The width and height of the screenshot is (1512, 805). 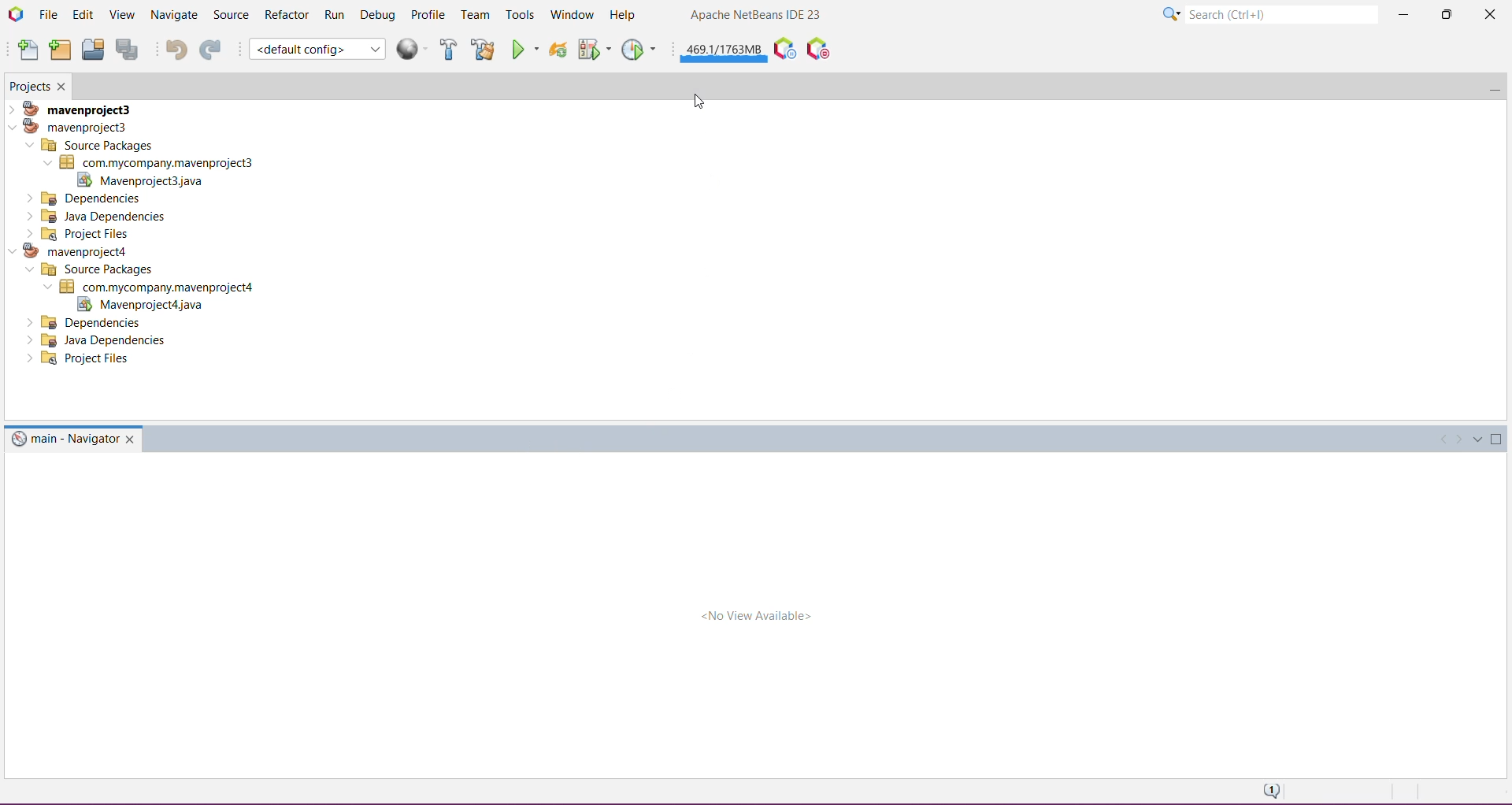 What do you see at coordinates (74, 126) in the screenshot?
I see `mavenproject3` at bounding box center [74, 126].